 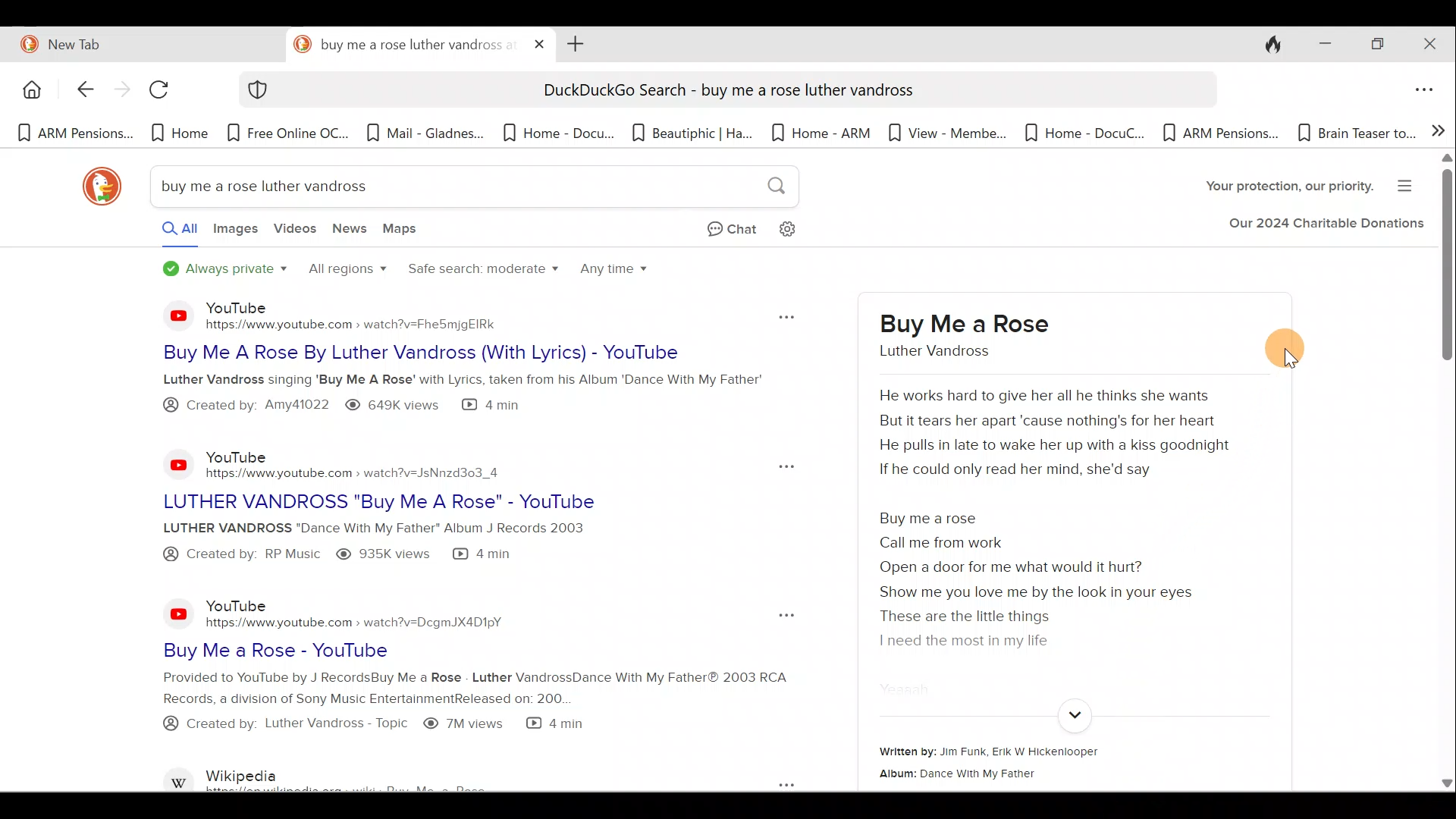 I want to click on He works hard to give her all he thinks she wants
But it tears her apart 'cause nothing's for her heart
He pulls in late to wake her up with a kiss goodnight
If he could only read her mind, she'd say, so click(x=1062, y=436).